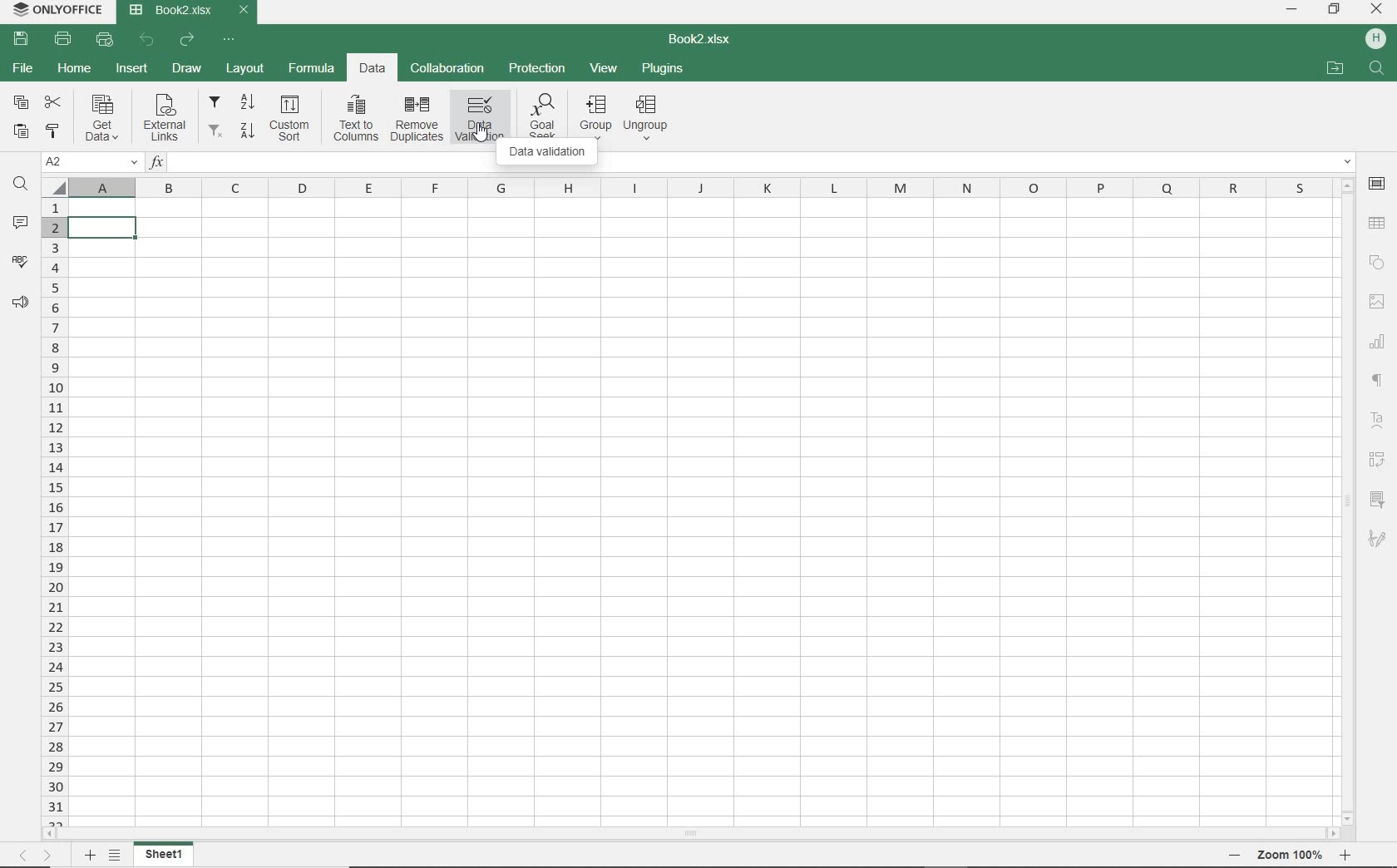 Image resolution: width=1397 pixels, height=868 pixels. What do you see at coordinates (292, 118) in the screenshot?
I see `custom sort` at bounding box center [292, 118].